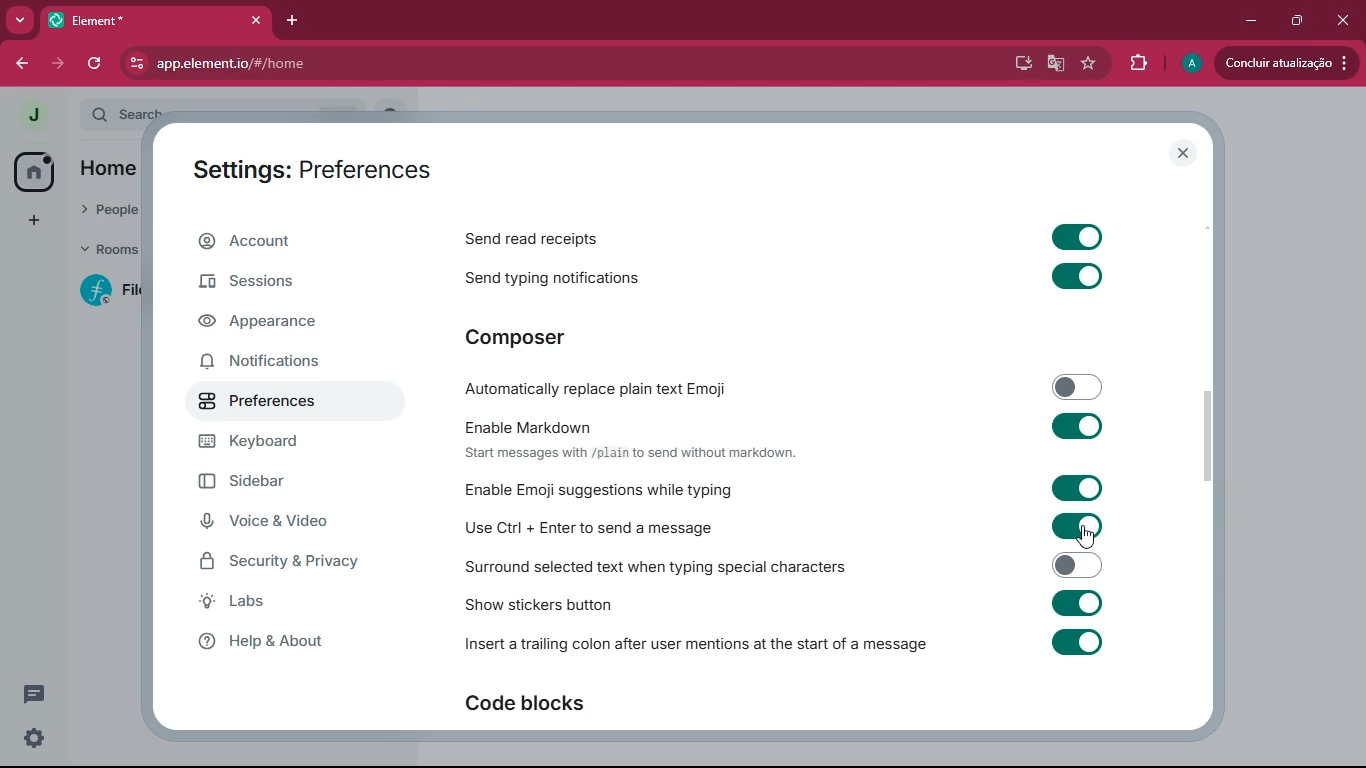 This screenshot has width=1366, height=768. I want to click on toggle on or off, so click(1076, 641).